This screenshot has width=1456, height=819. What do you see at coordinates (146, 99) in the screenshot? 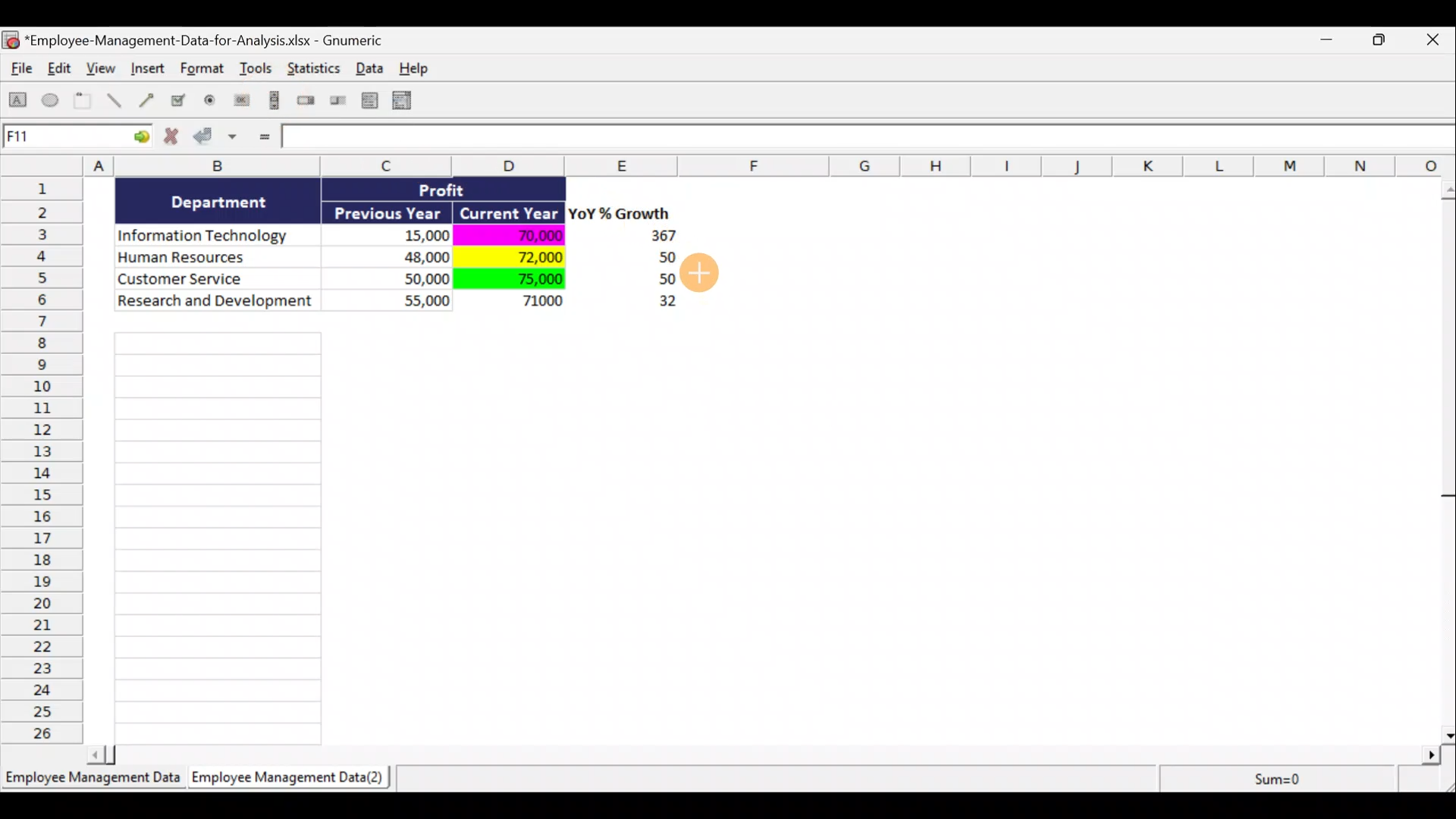
I see `Create an arrow object` at bounding box center [146, 99].